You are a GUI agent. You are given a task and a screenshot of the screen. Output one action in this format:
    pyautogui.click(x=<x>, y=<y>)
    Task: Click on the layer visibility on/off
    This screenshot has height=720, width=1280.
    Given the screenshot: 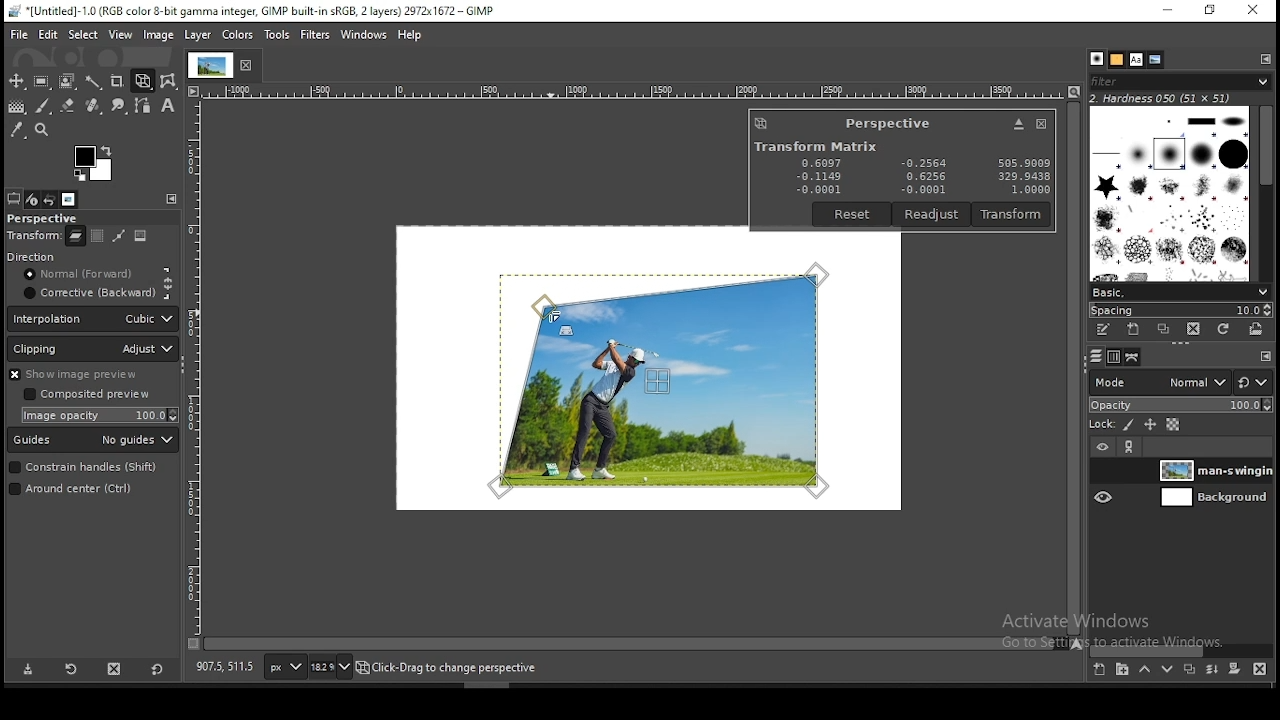 What is the action you would take?
    pyautogui.click(x=1103, y=471)
    